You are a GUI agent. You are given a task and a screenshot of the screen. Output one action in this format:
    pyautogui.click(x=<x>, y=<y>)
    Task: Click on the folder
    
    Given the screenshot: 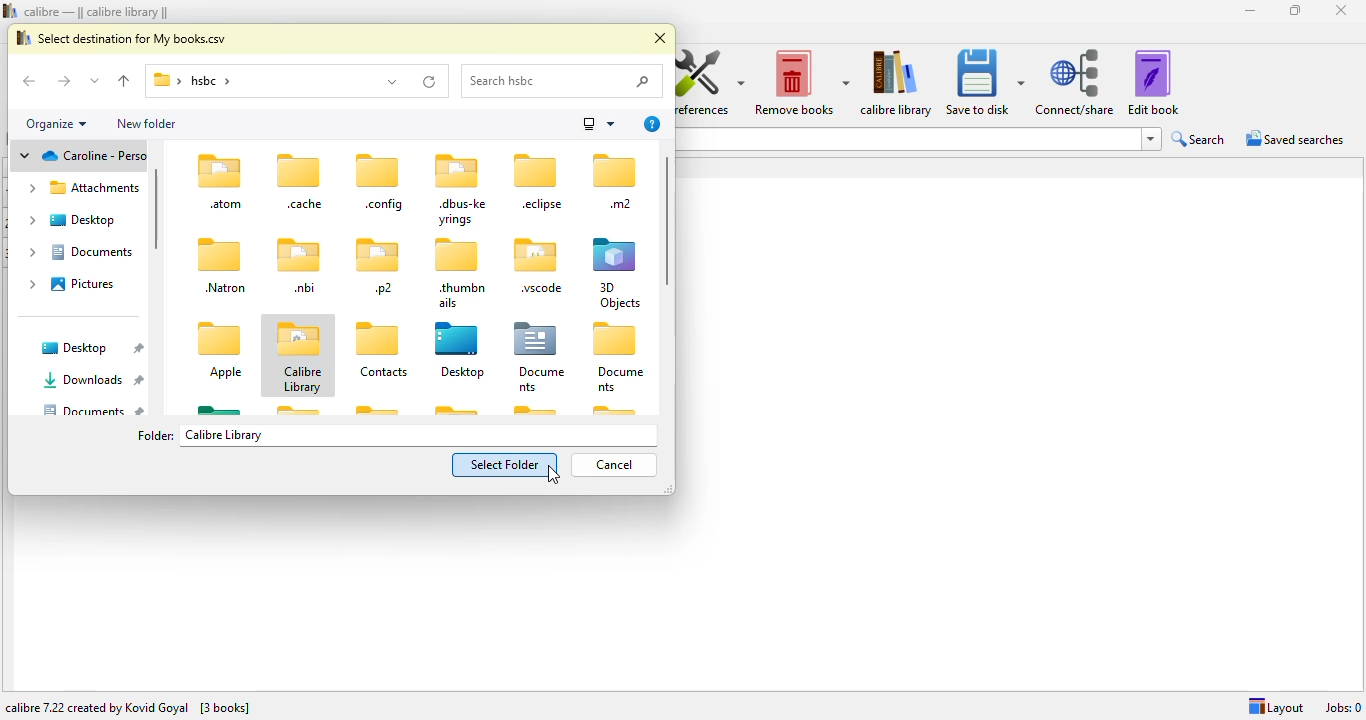 What is the action you would take?
    pyautogui.click(x=247, y=82)
    